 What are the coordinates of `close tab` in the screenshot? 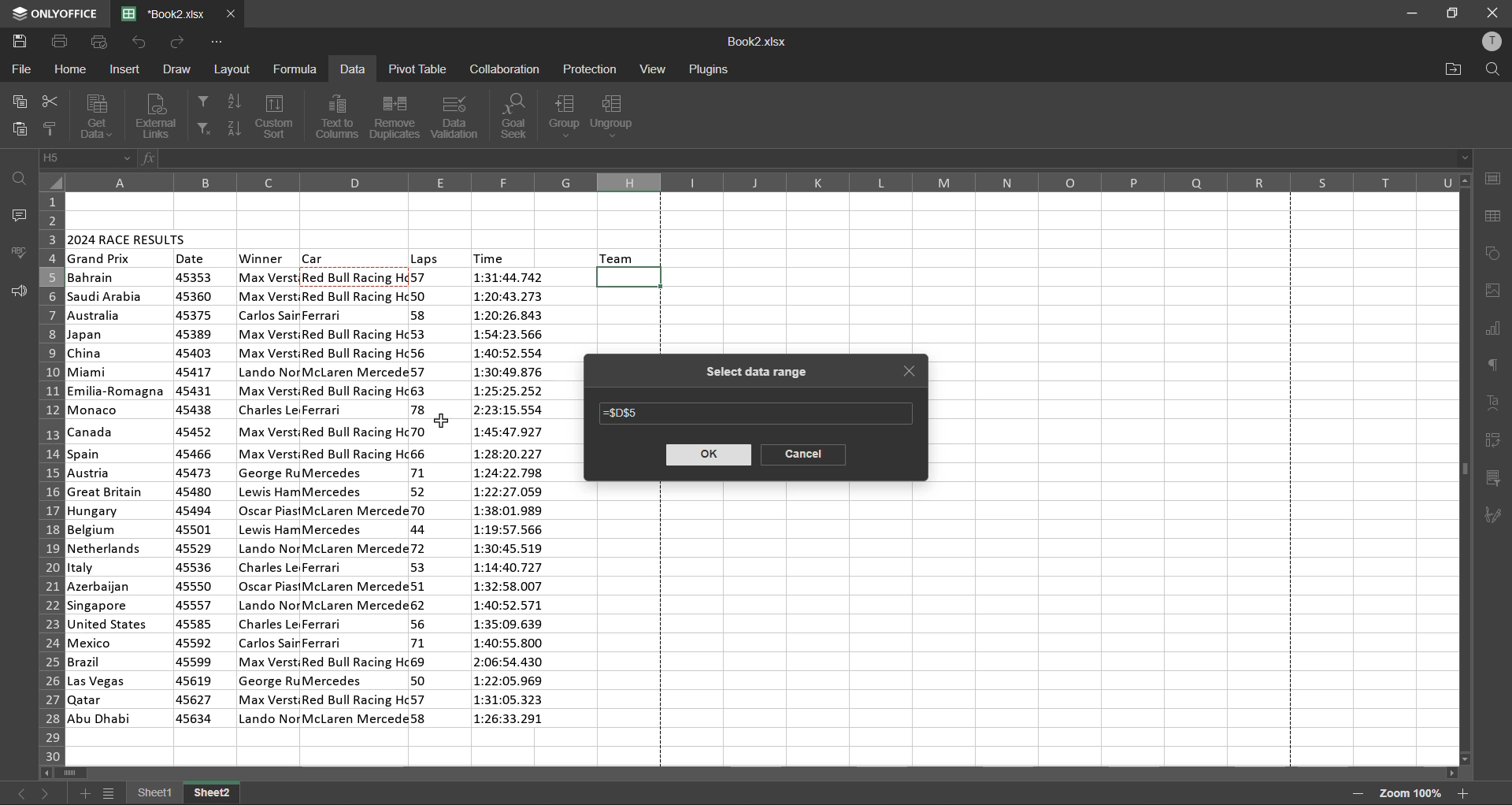 It's located at (232, 14).